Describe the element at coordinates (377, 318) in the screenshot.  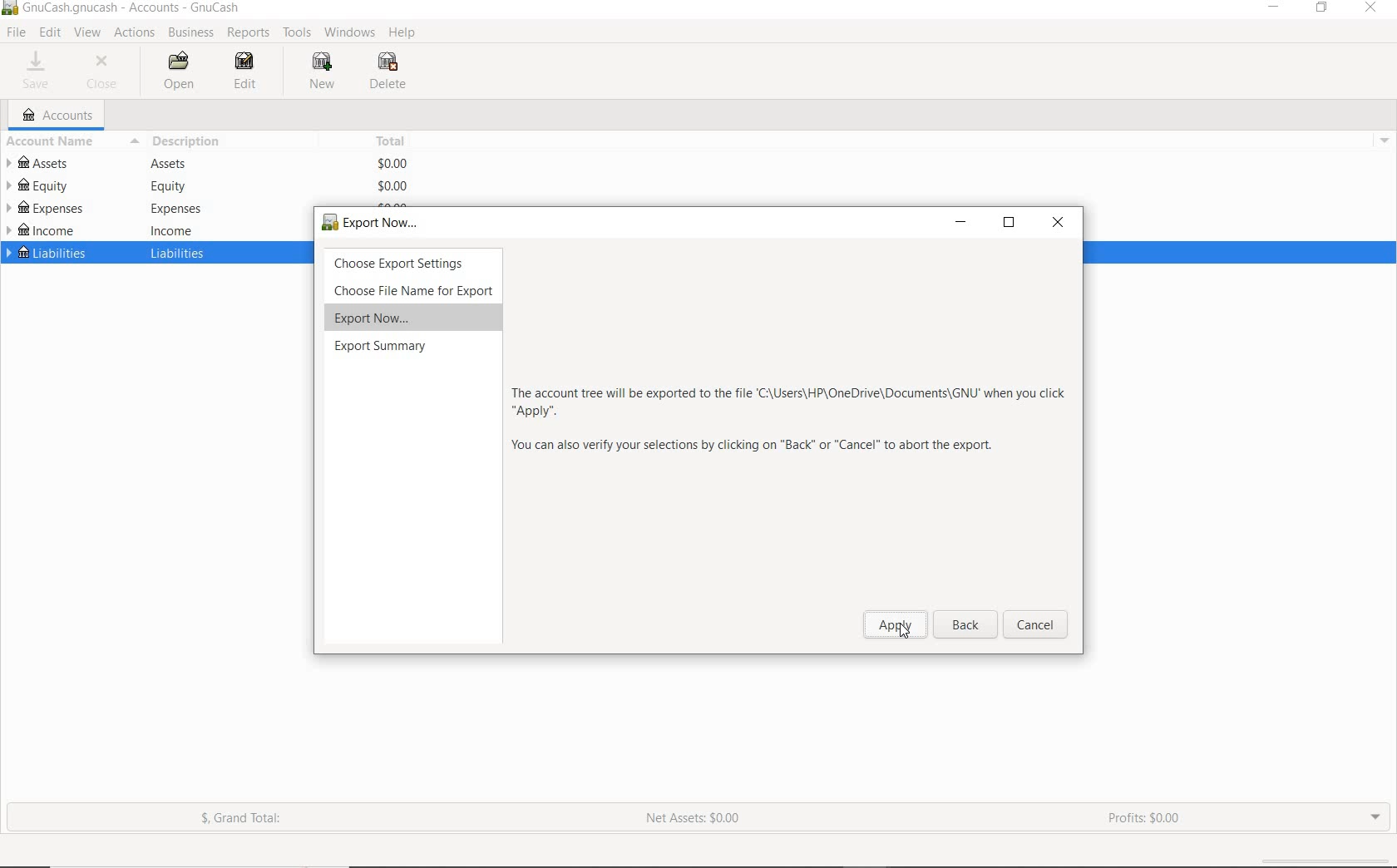
I see `export now...` at that location.